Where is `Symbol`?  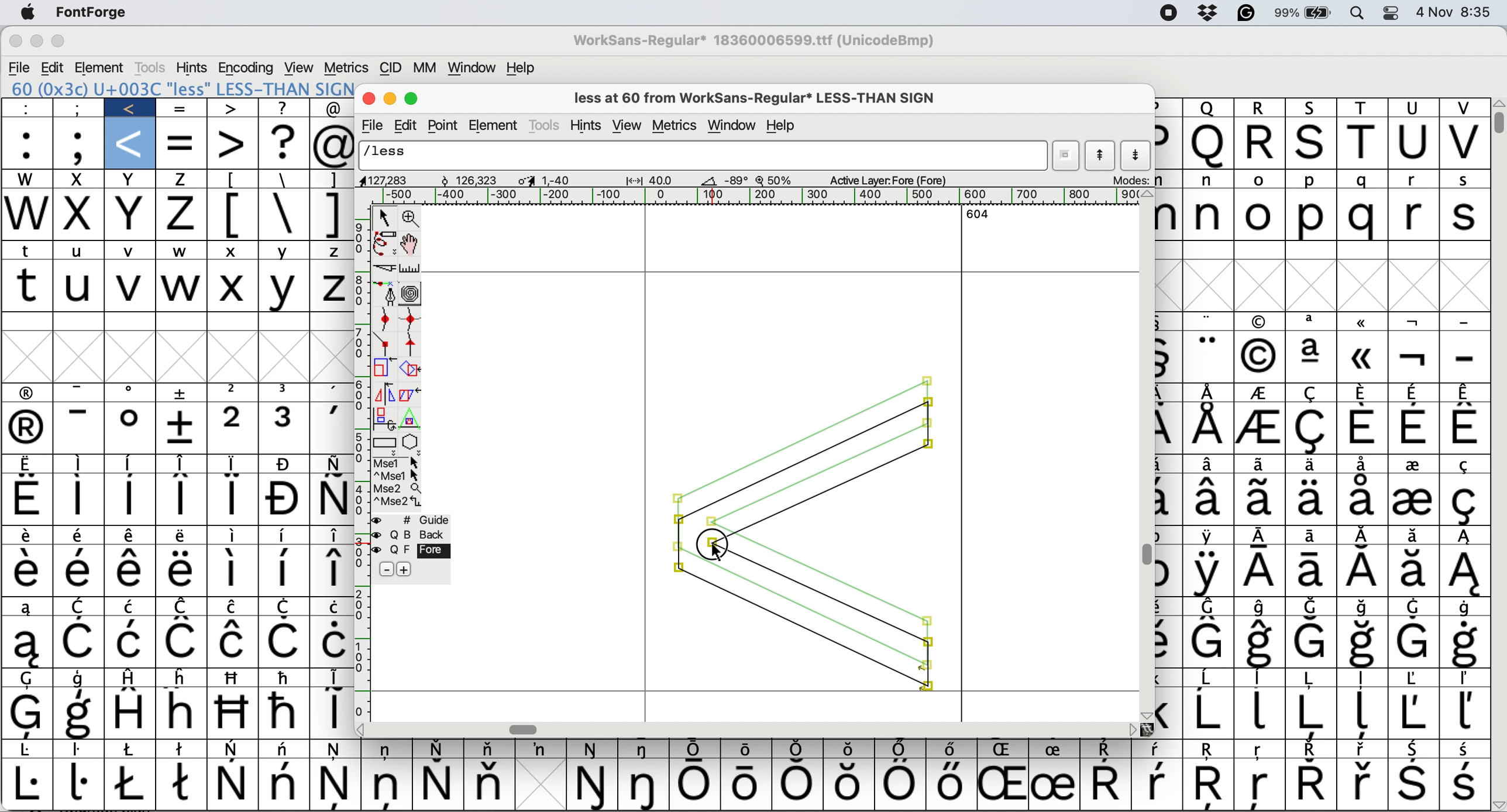 Symbol is located at coordinates (1312, 785).